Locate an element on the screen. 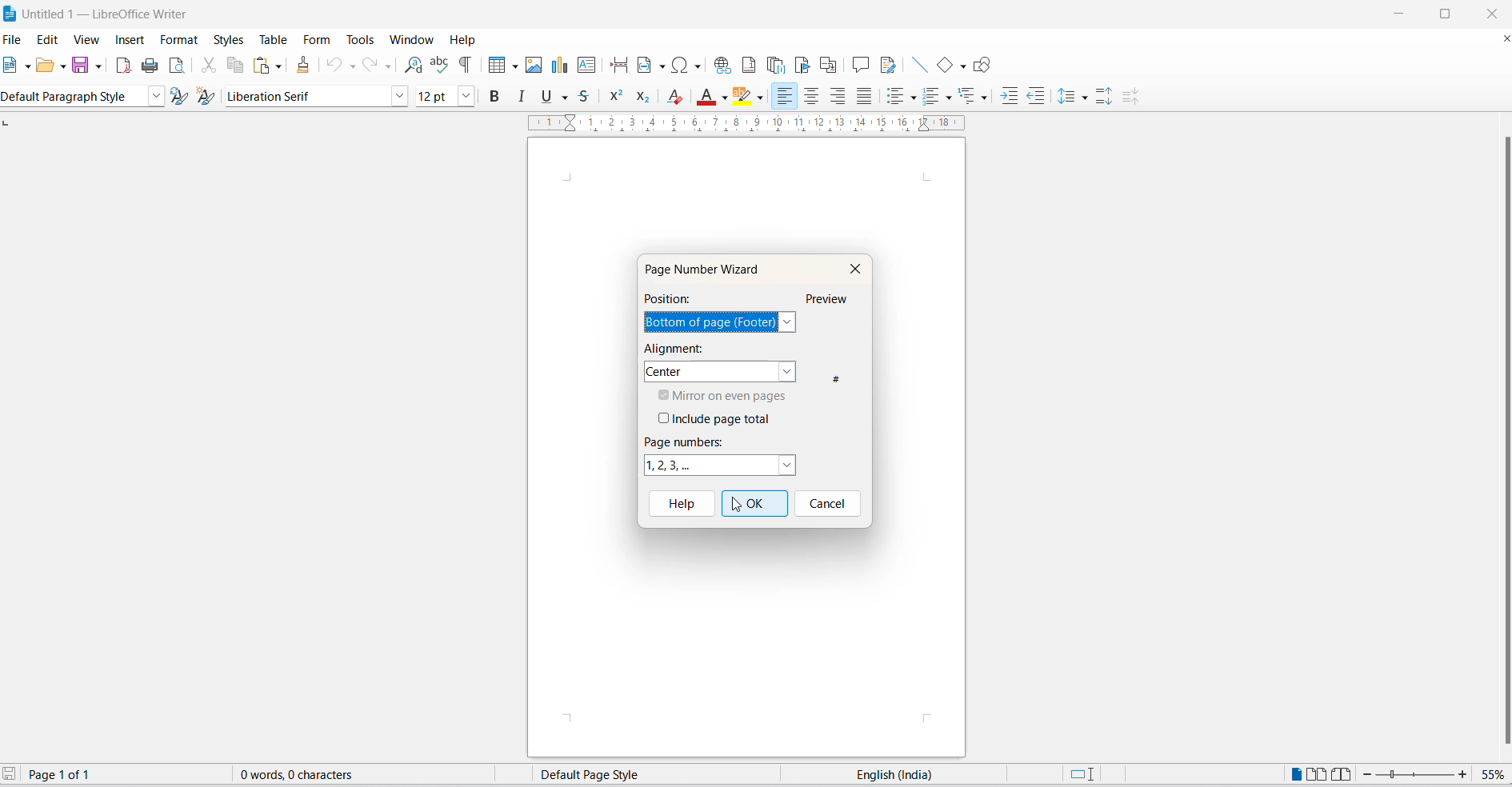 Image resolution: width=1512 pixels, height=787 pixels. increase indent is located at coordinates (1010, 98).